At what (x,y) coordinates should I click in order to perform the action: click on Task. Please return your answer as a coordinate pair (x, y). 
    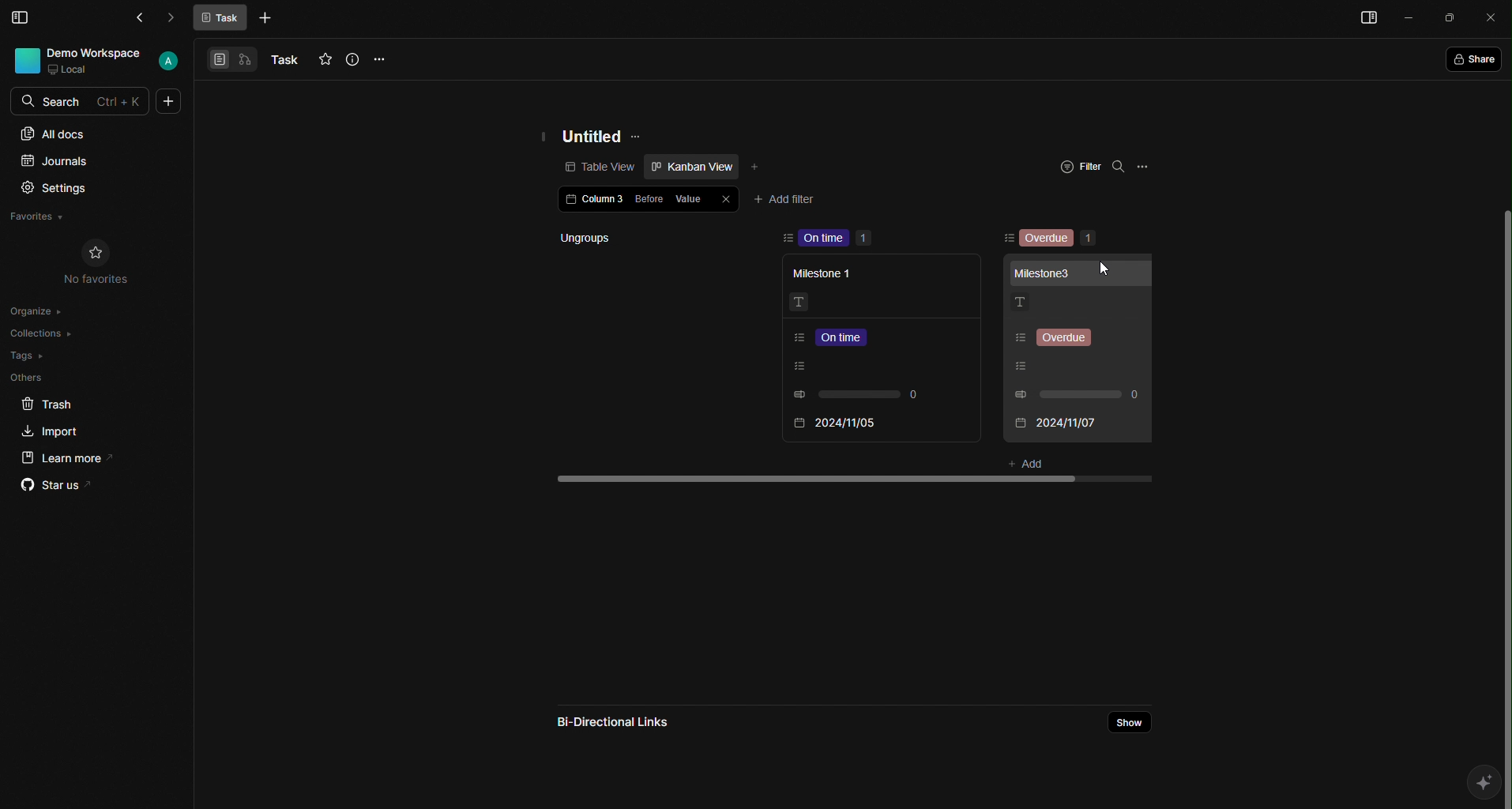
    Looking at the image, I should click on (284, 60).